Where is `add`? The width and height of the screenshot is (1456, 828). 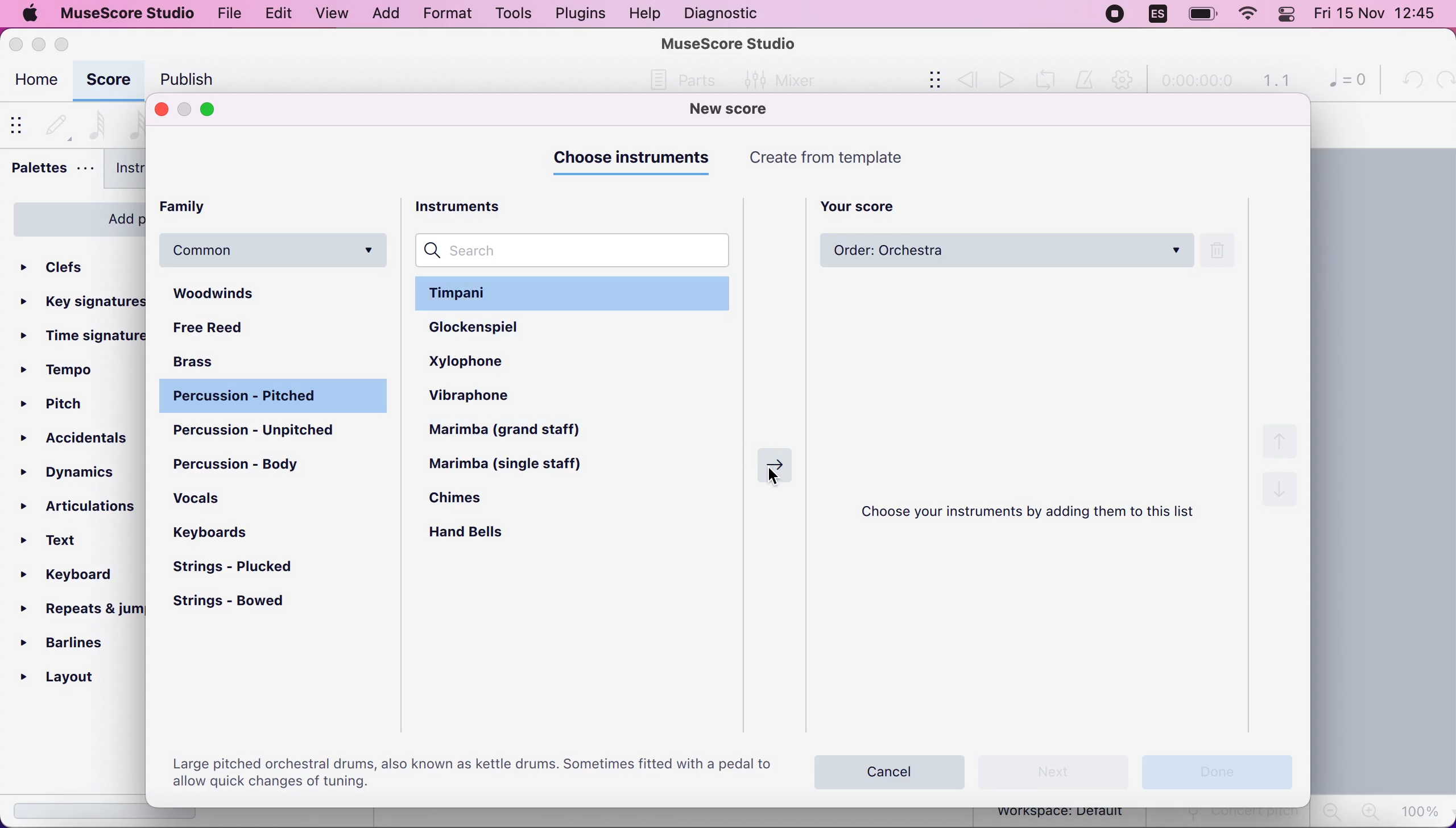
add is located at coordinates (385, 14).